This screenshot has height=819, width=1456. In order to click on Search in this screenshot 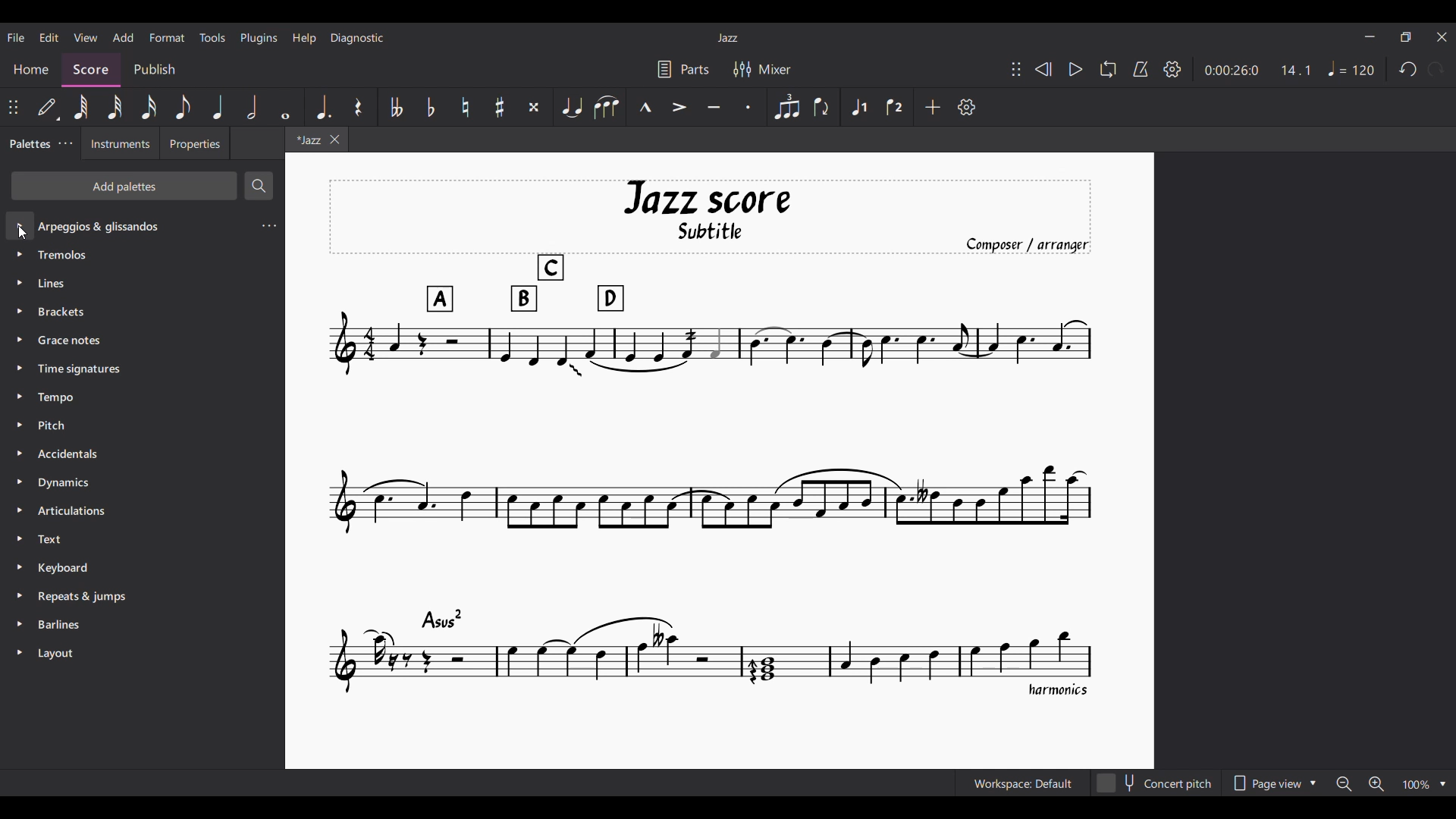, I will do `click(258, 186)`.